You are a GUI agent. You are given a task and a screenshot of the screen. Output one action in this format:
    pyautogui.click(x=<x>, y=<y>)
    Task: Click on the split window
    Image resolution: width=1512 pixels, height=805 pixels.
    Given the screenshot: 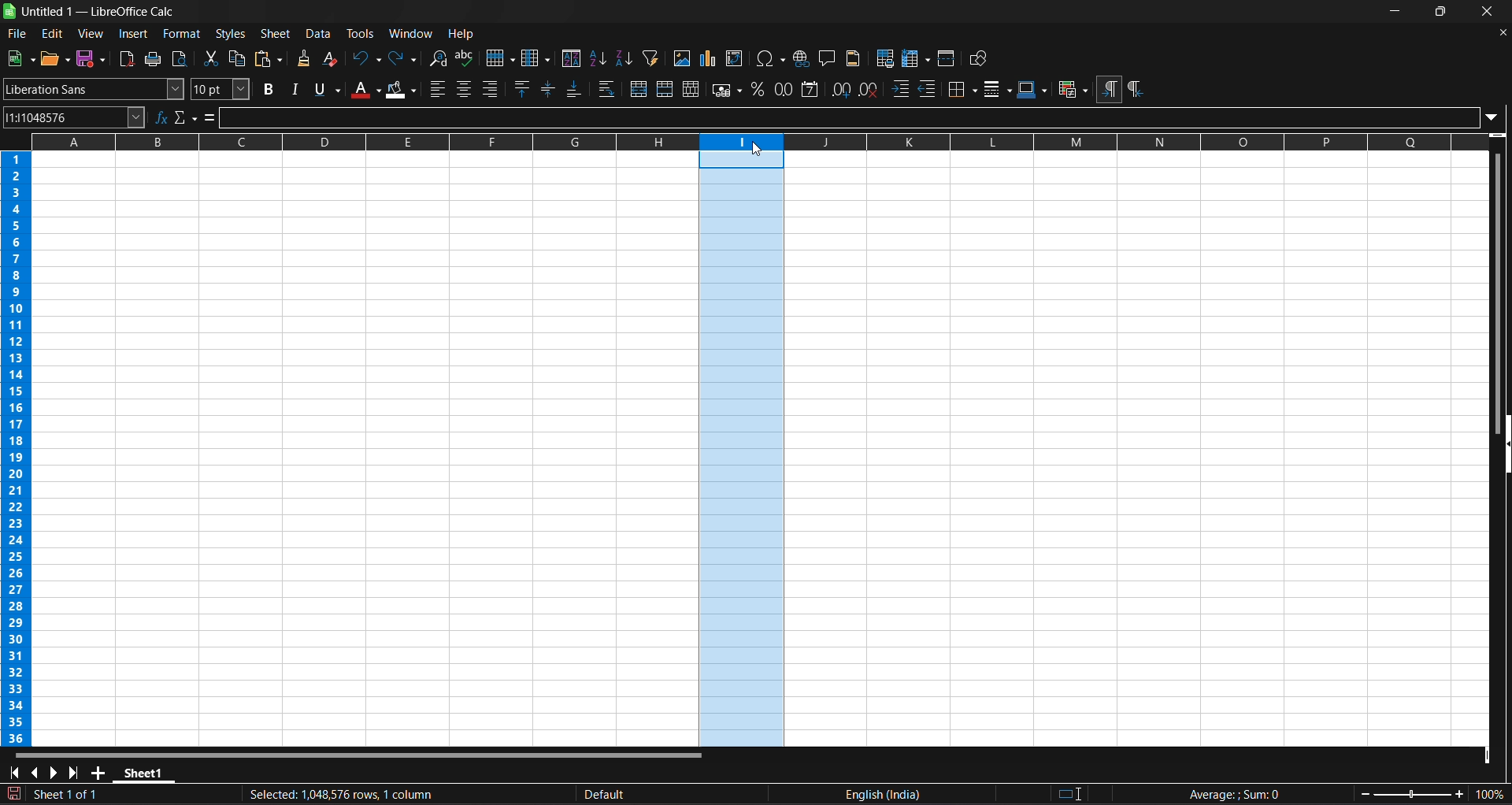 What is the action you would take?
    pyautogui.click(x=947, y=58)
    